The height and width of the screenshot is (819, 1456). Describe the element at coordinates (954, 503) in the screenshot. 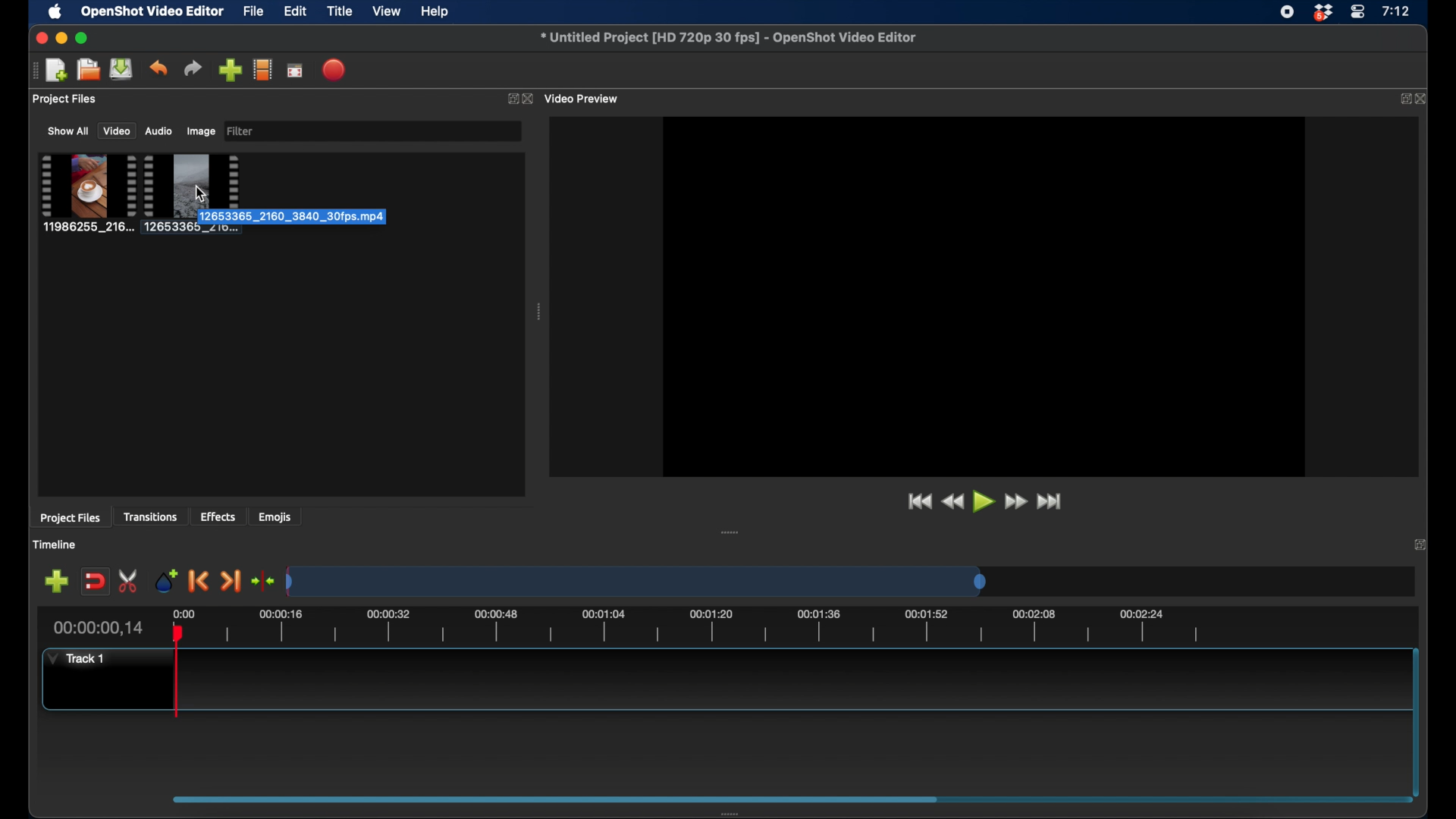

I see `rewind` at that location.